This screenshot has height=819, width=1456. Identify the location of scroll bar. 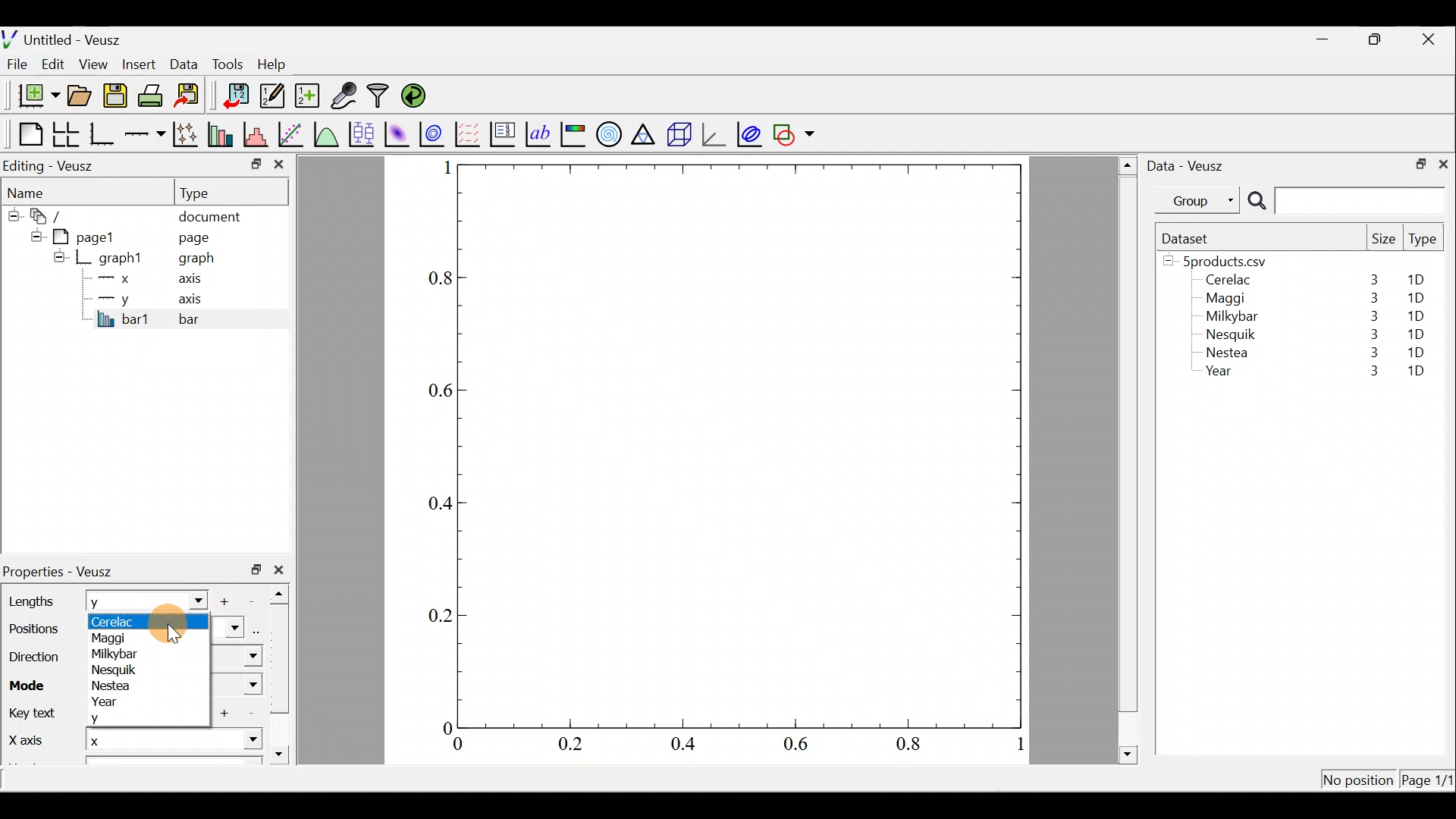
(1128, 457).